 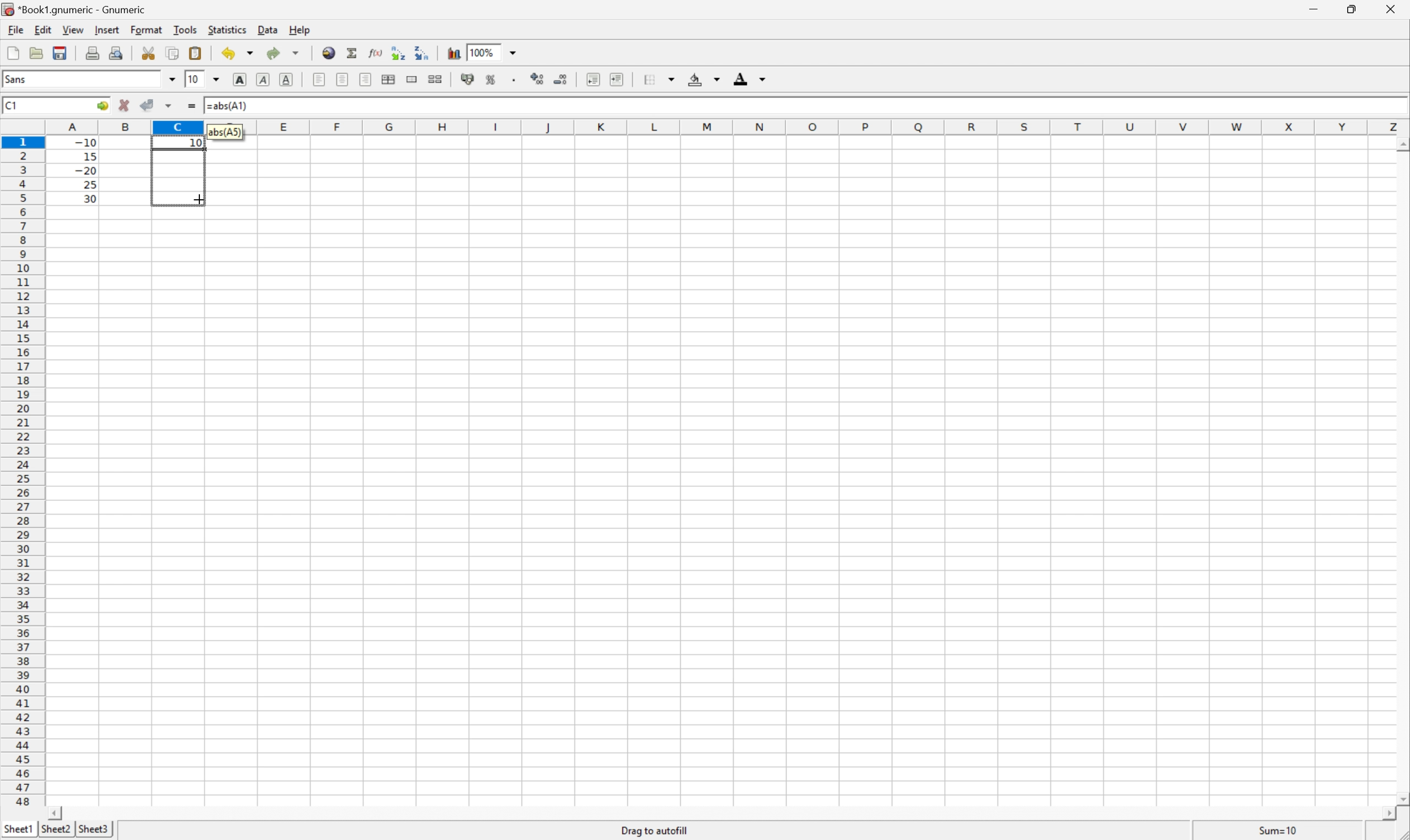 I want to click on Edit a function in current cell, so click(x=375, y=52).